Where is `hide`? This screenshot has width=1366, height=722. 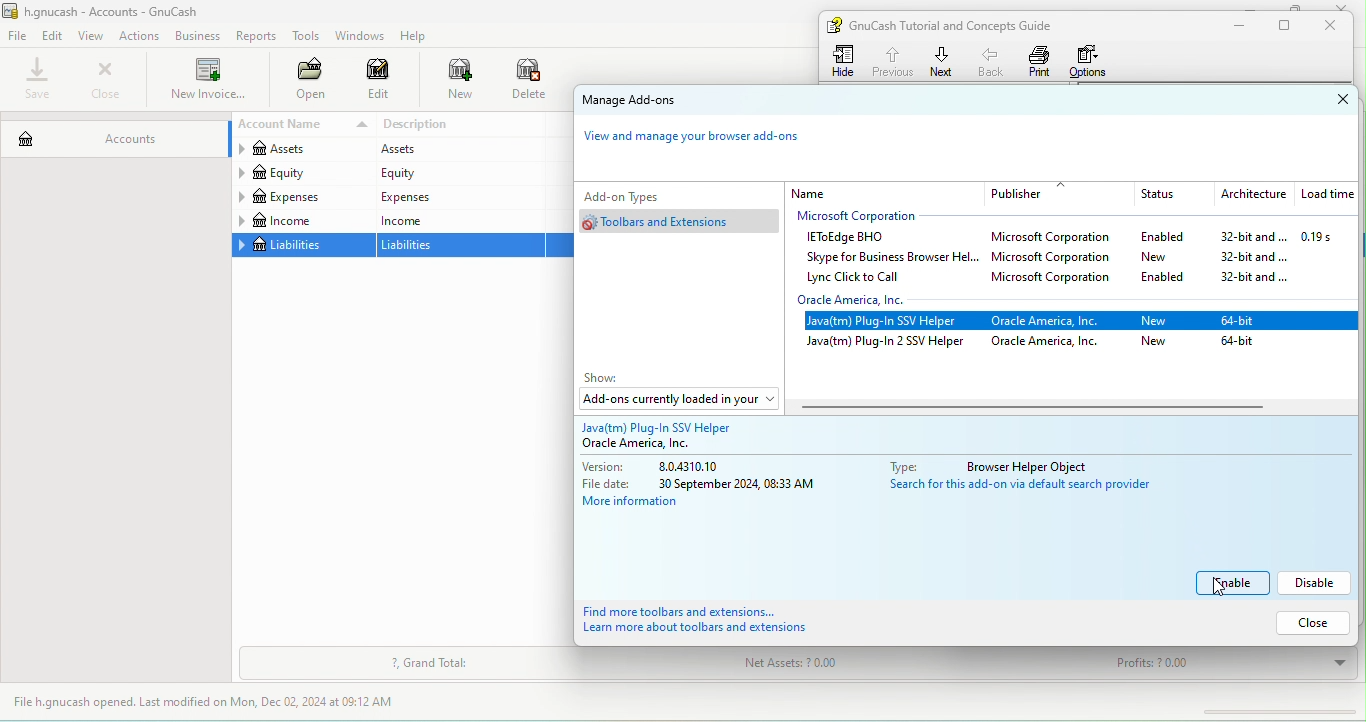 hide is located at coordinates (846, 61).